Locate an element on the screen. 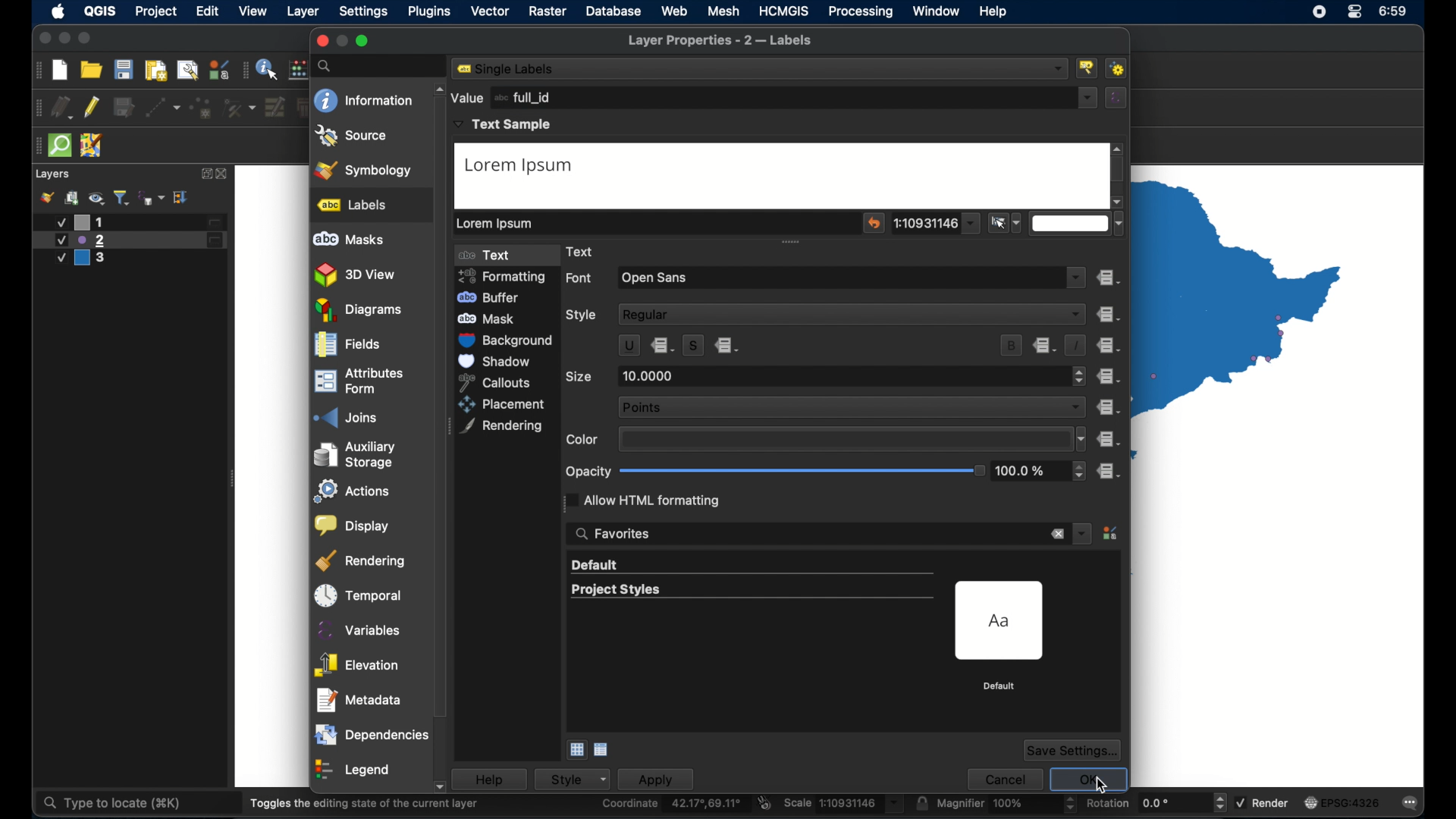 This screenshot has width=1456, height=819. web is located at coordinates (674, 11).